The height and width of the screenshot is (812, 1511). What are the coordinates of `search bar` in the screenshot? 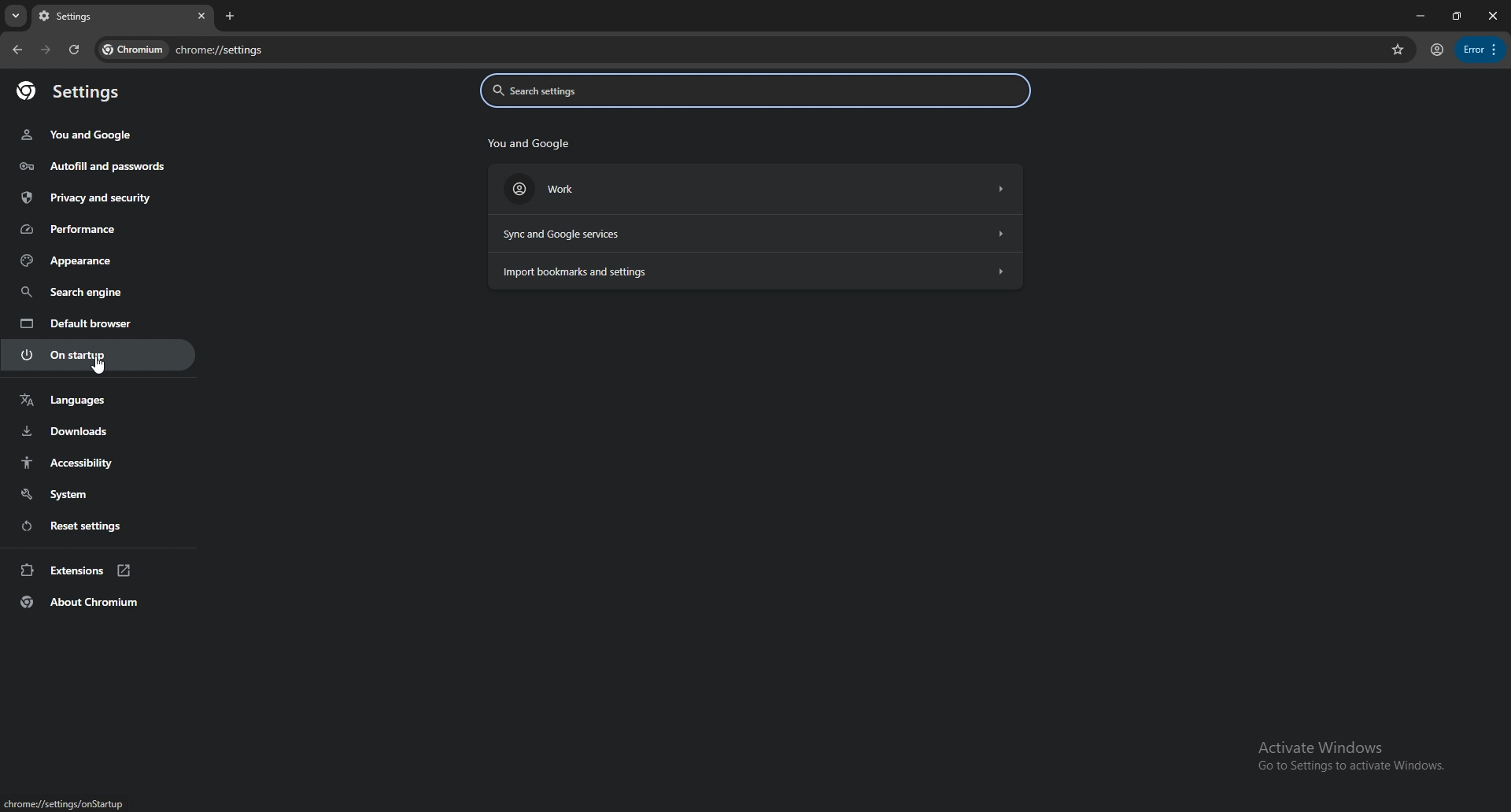 It's located at (773, 51).